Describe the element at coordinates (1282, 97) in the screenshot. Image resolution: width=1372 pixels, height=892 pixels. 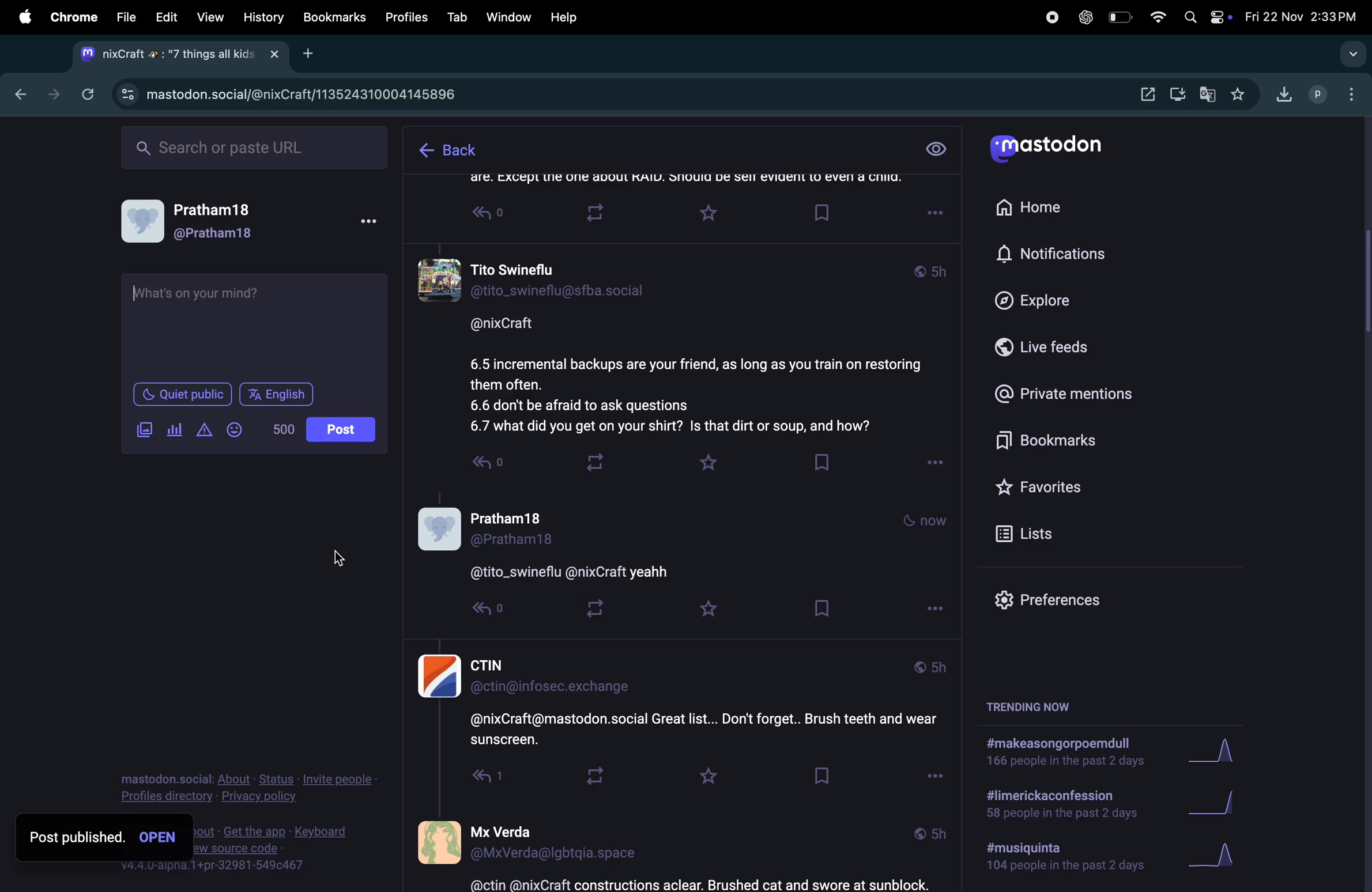
I see `download` at that location.